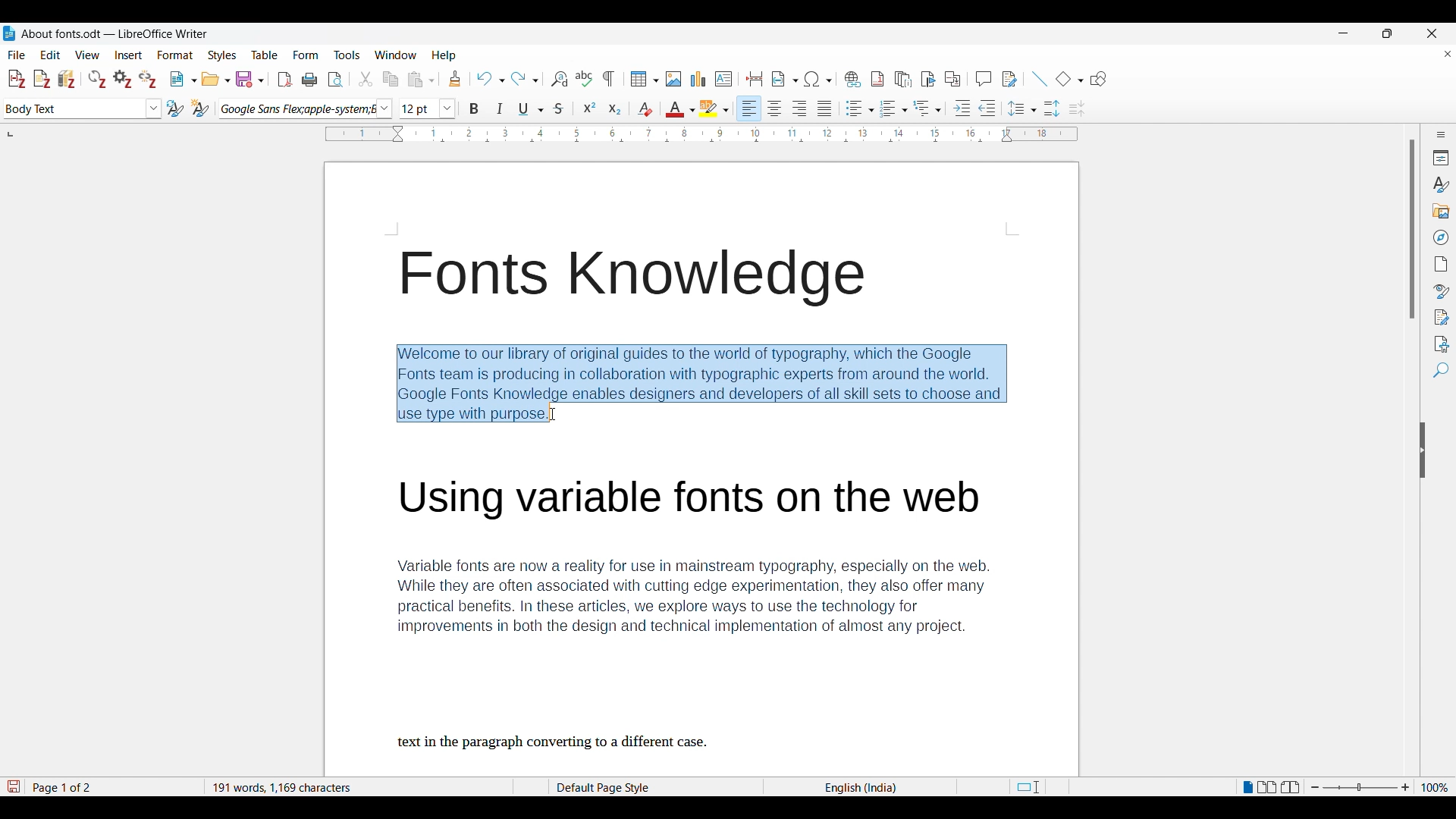  I want to click on Add note, so click(42, 80).